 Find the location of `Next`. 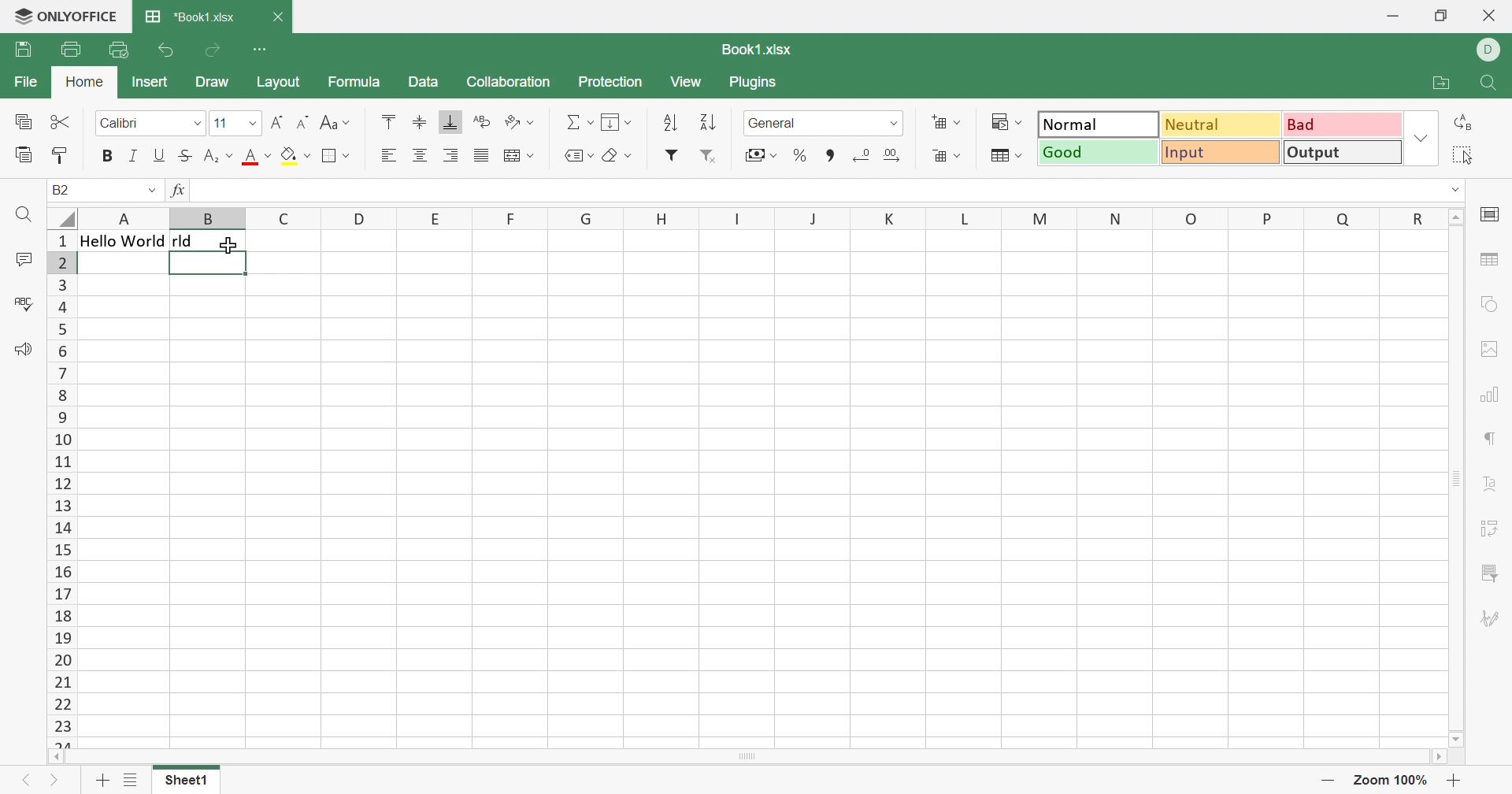

Next is located at coordinates (56, 781).